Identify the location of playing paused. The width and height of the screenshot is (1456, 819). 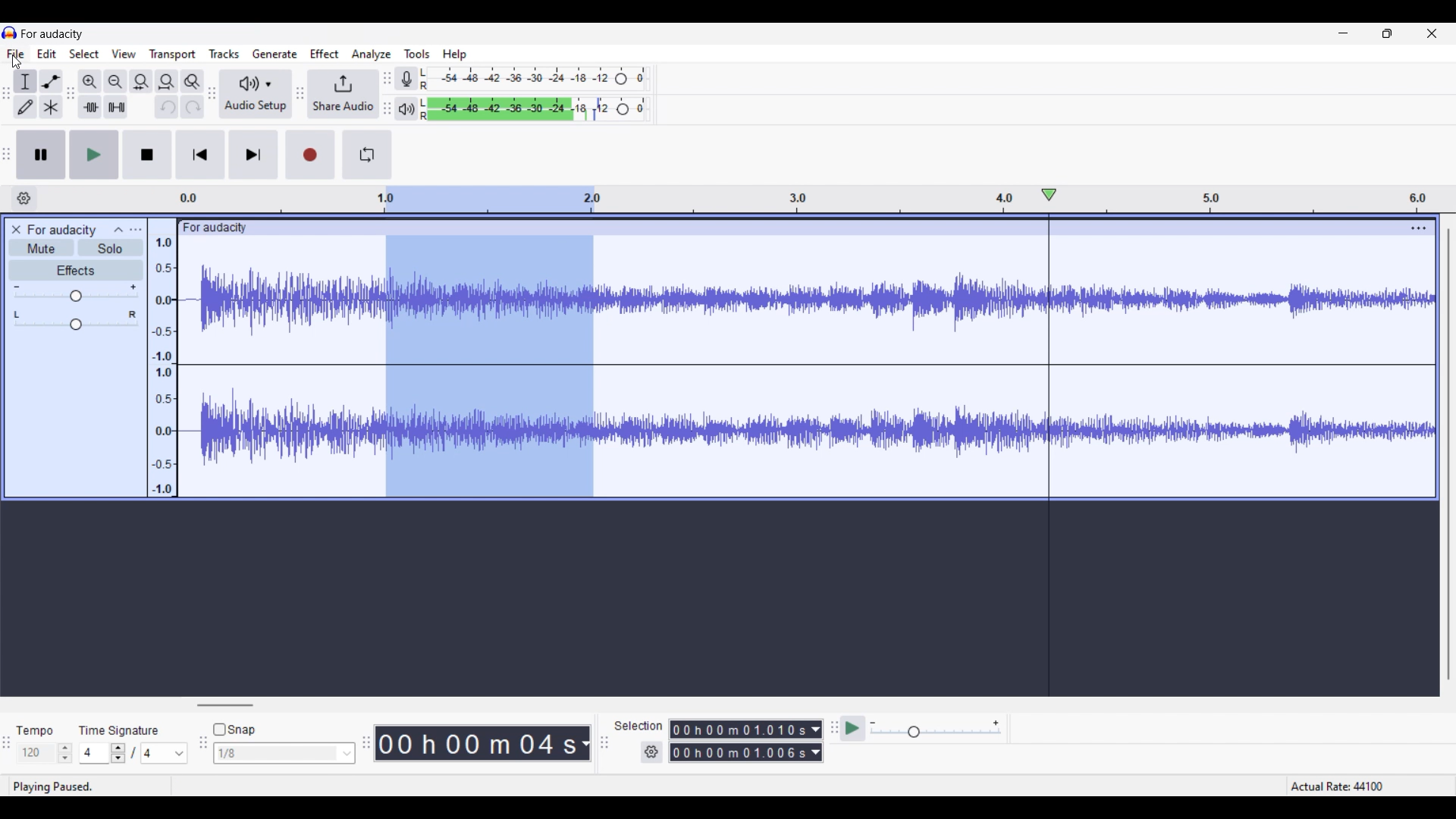
(65, 785).